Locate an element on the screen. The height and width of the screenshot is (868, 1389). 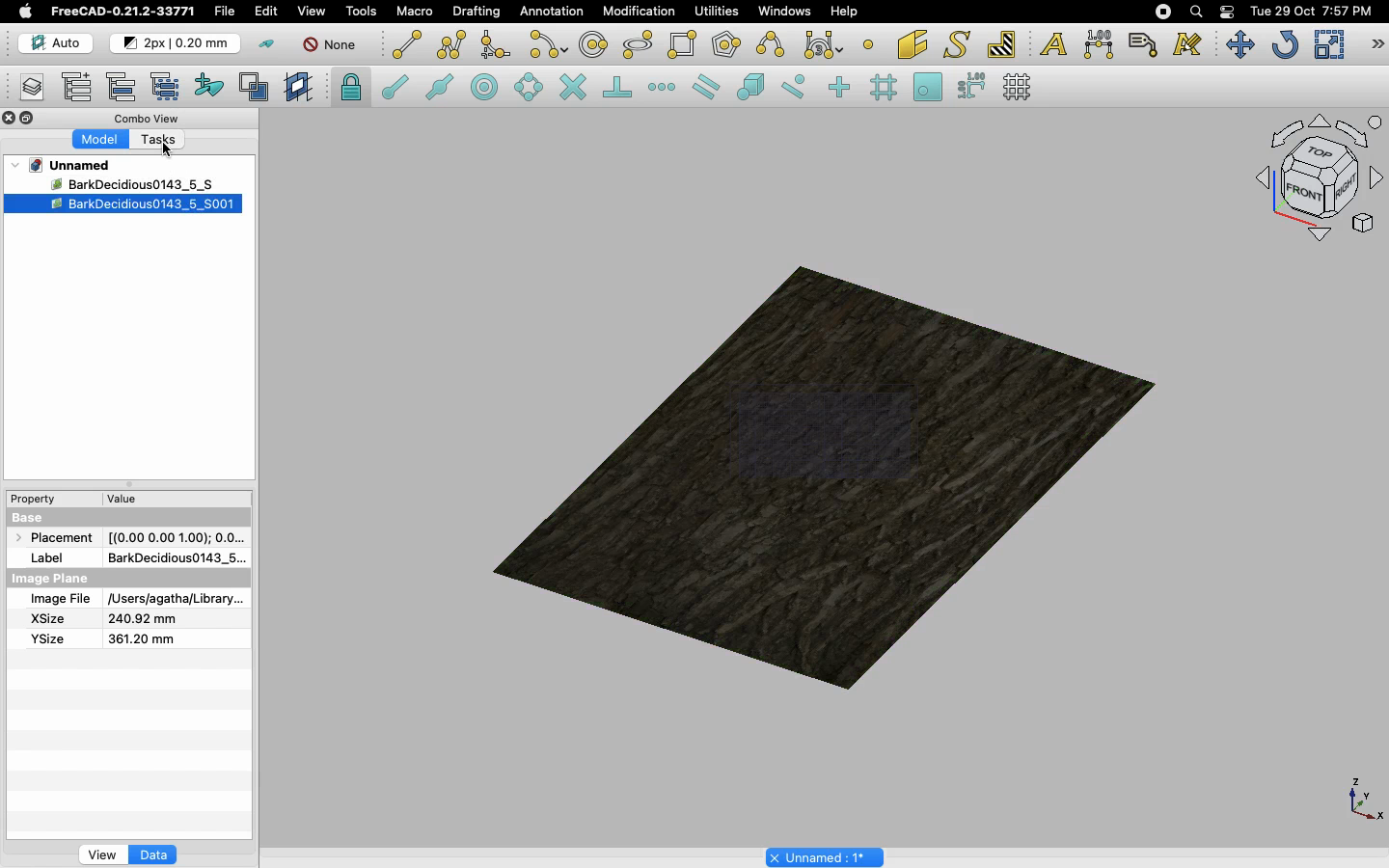
Draft modification tools is located at coordinates (1376, 46).